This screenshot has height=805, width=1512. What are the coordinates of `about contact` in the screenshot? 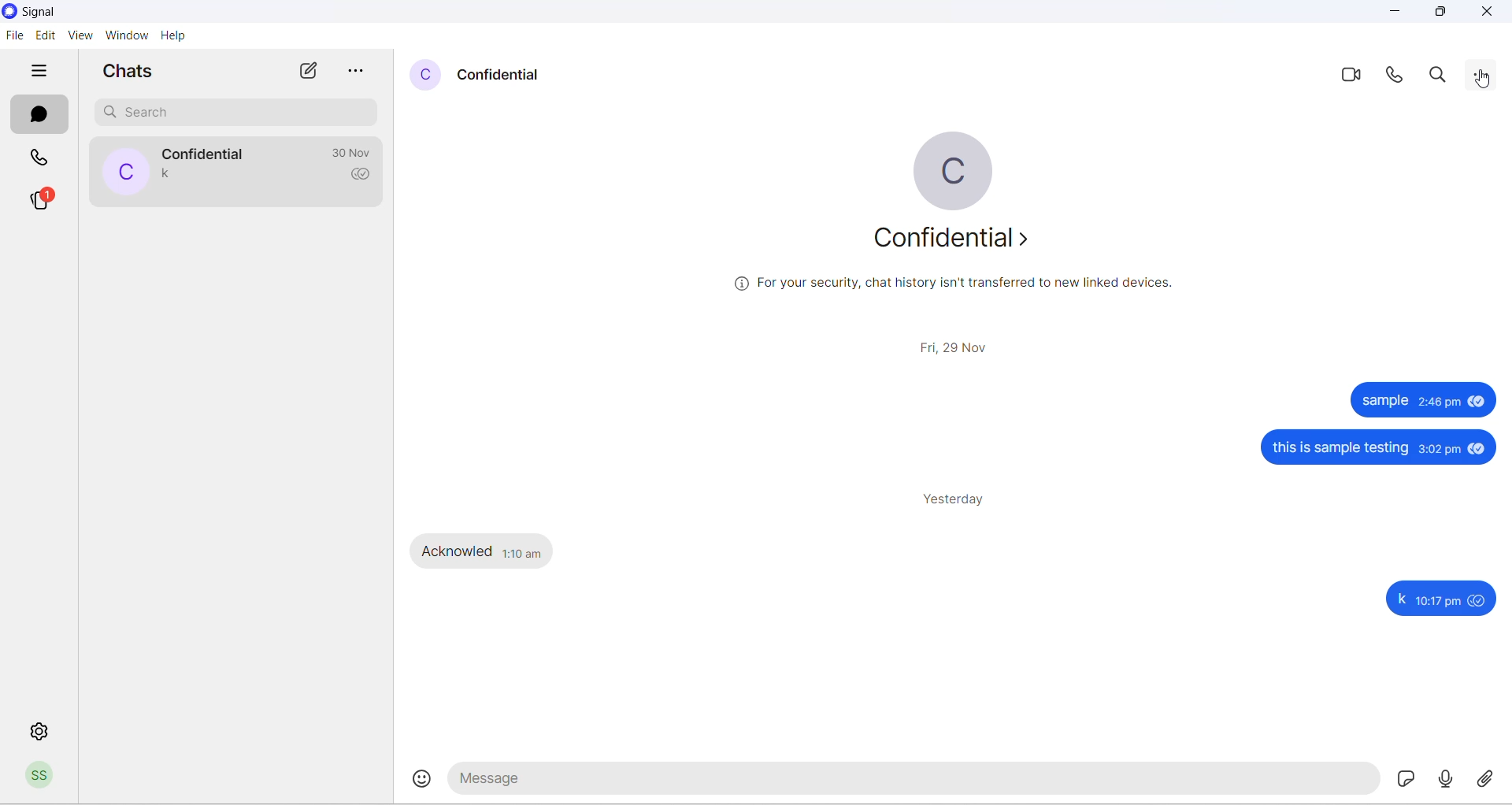 It's located at (951, 244).